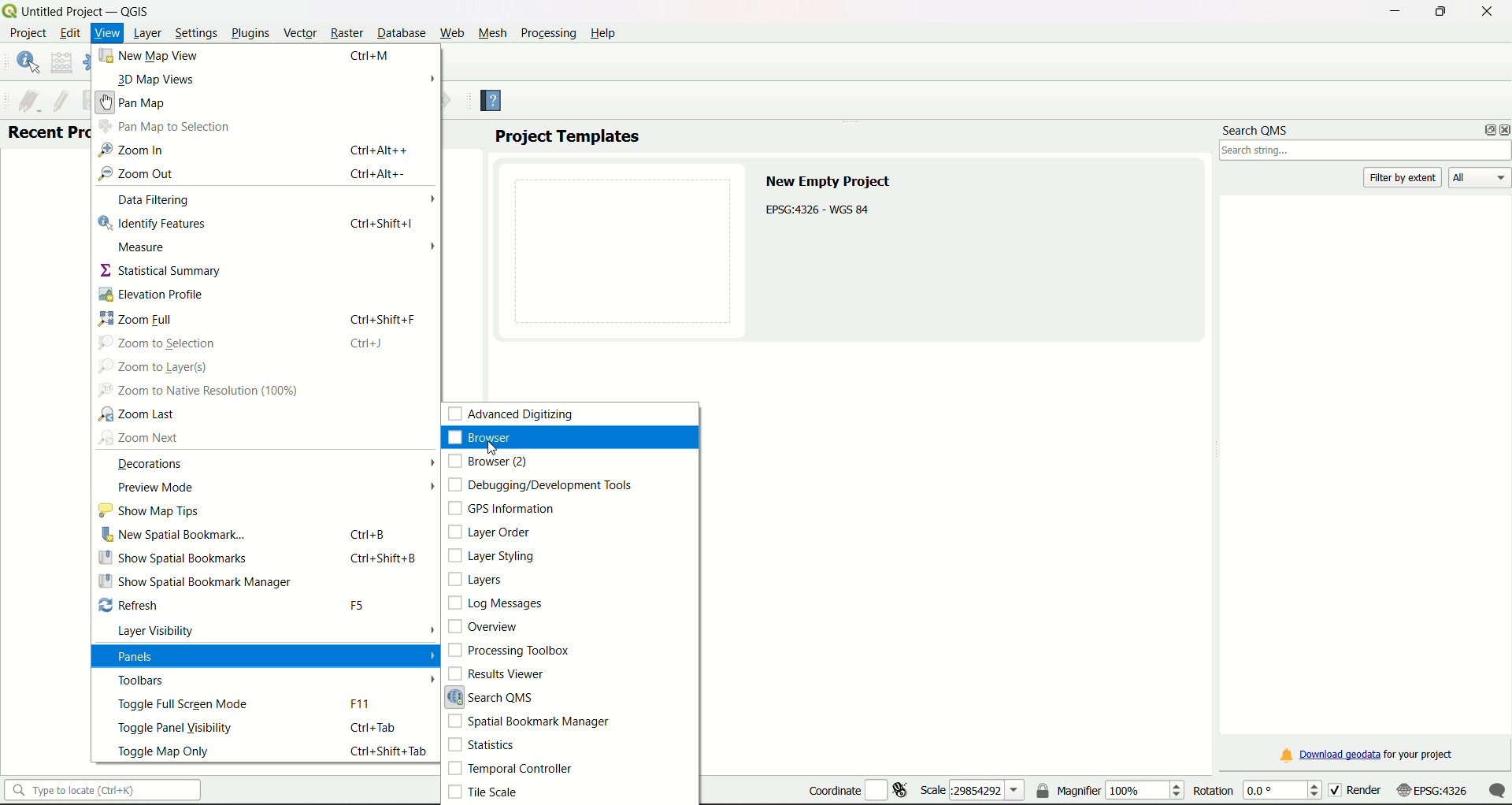  Describe the element at coordinates (197, 35) in the screenshot. I see `Settings` at that location.